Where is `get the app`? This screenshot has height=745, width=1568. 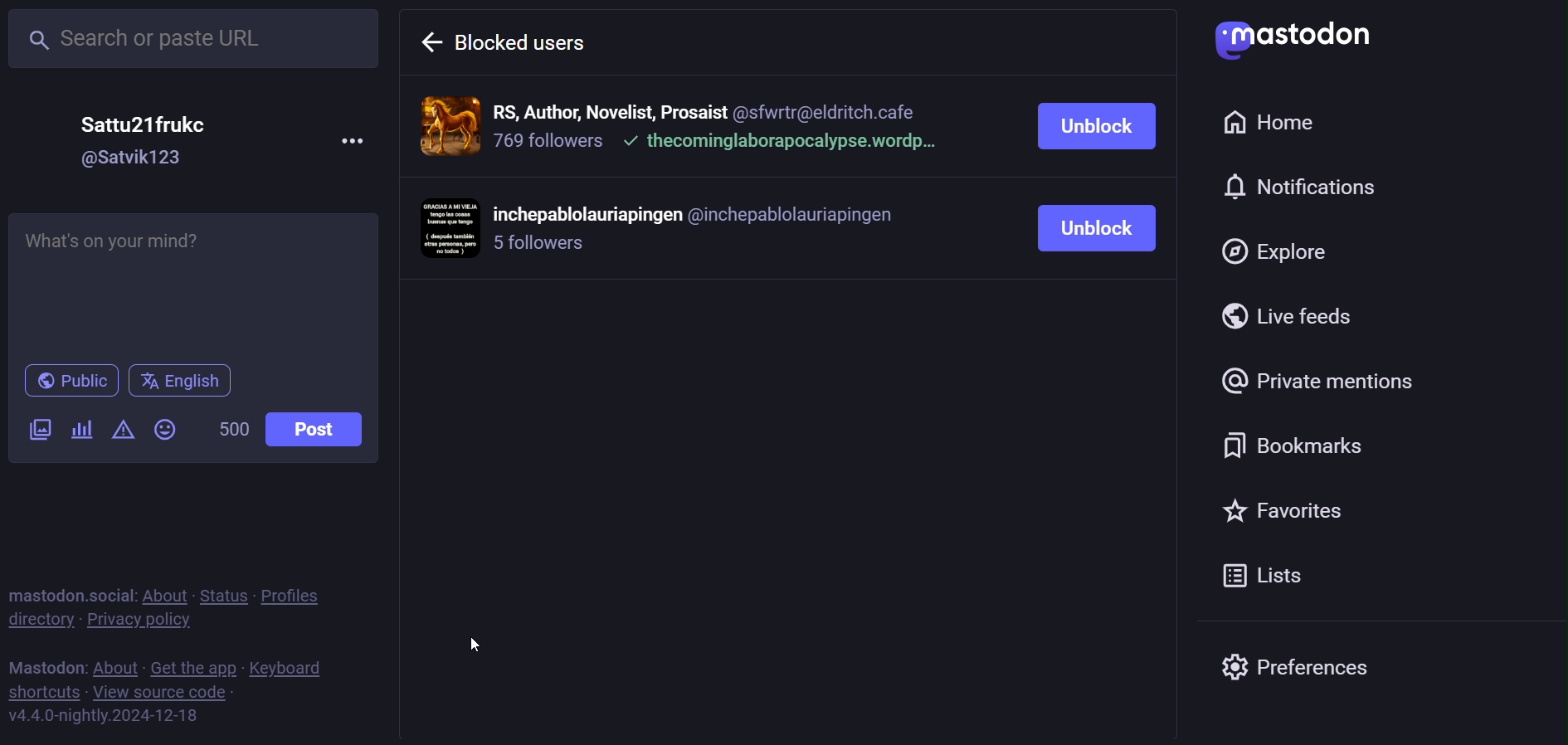
get the app is located at coordinates (195, 665).